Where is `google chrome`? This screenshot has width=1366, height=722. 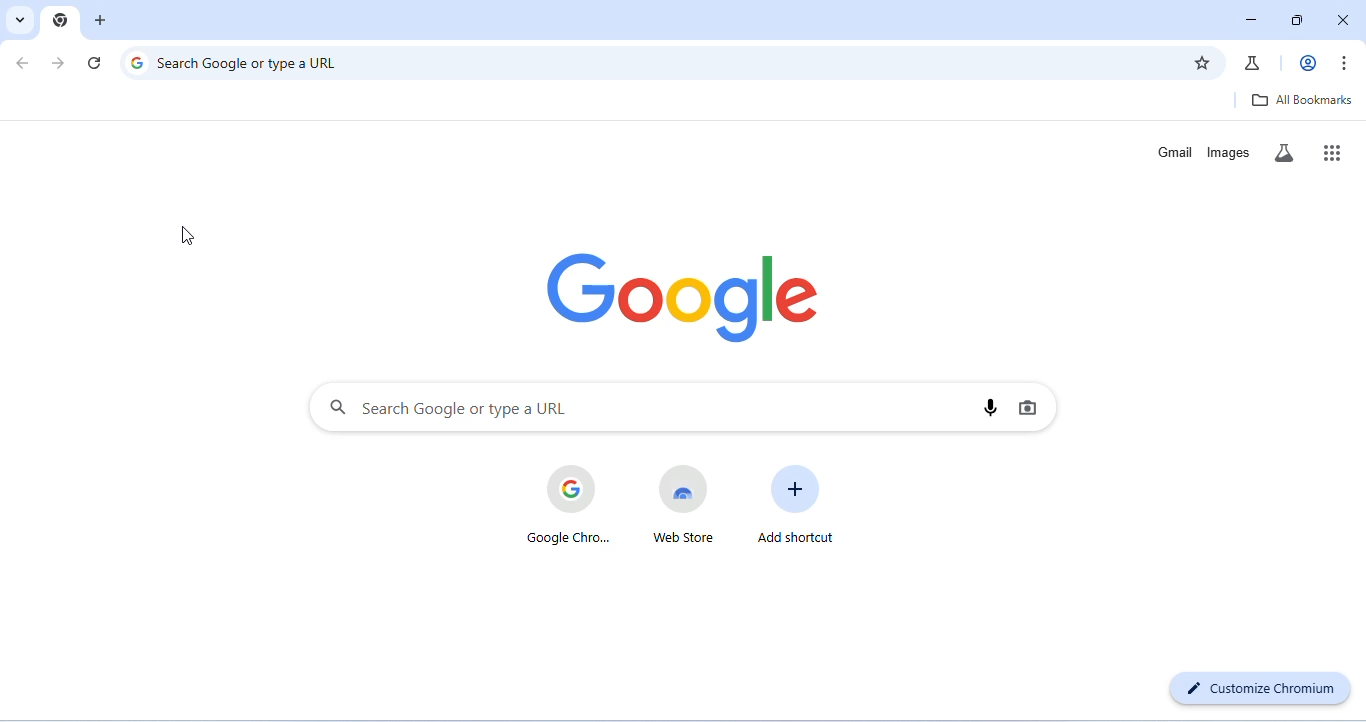 google chrome is located at coordinates (569, 505).